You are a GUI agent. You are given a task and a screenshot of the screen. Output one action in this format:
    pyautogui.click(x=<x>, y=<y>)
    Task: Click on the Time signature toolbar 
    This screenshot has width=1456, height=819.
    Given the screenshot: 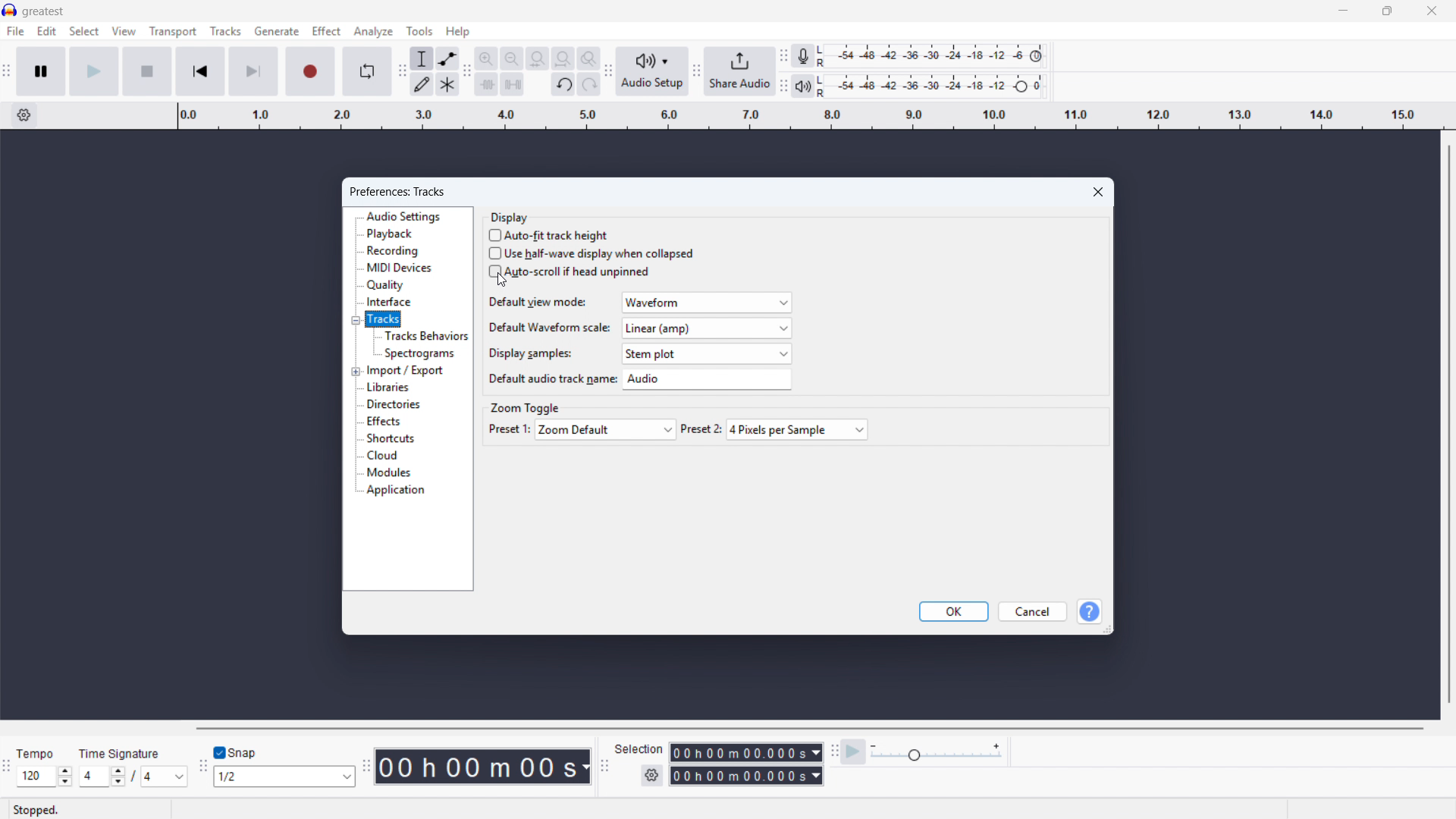 What is the action you would take?
    pyautogui.click(x=7, y=772)
    